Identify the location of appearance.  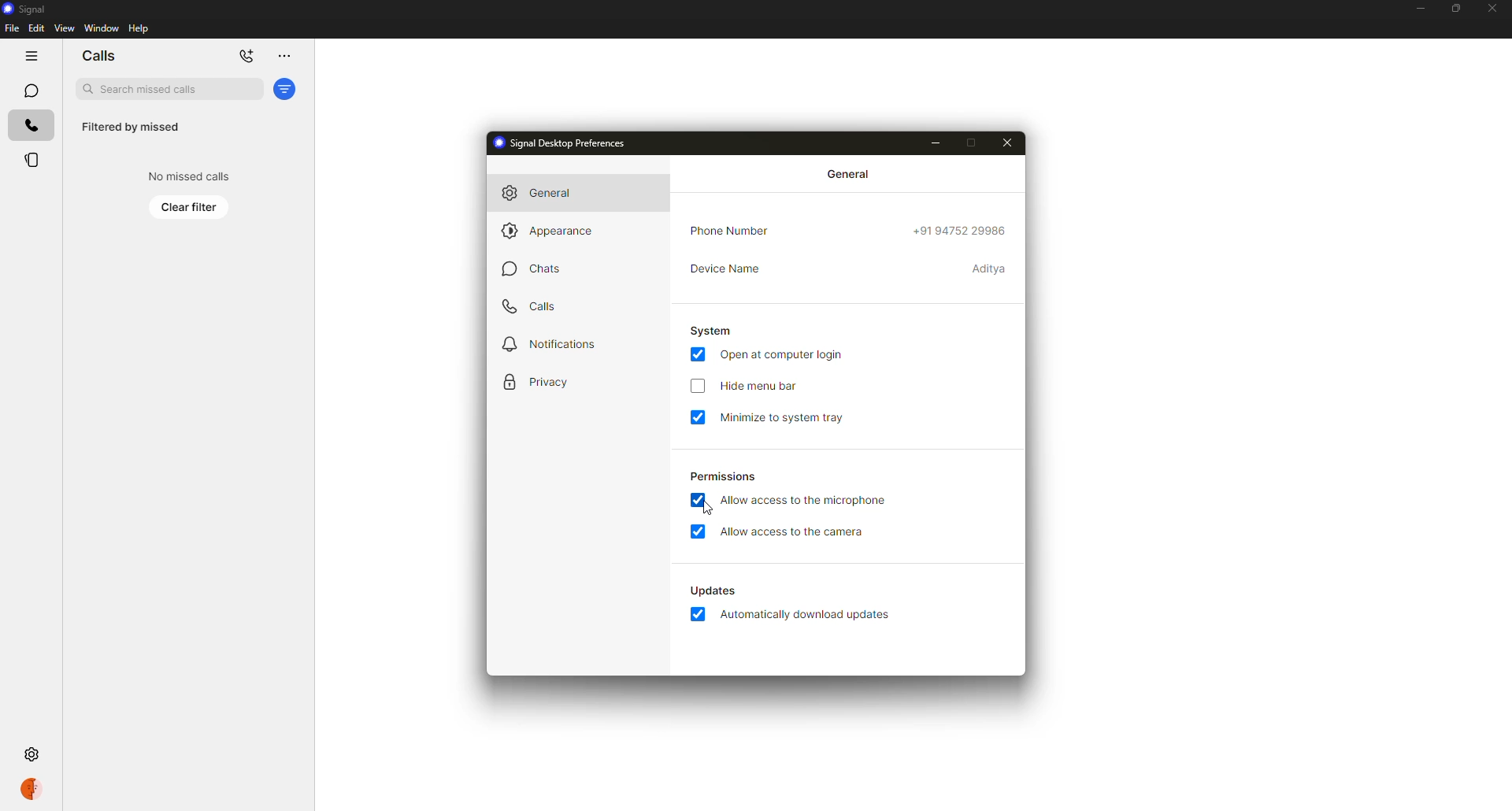
(551, 232).